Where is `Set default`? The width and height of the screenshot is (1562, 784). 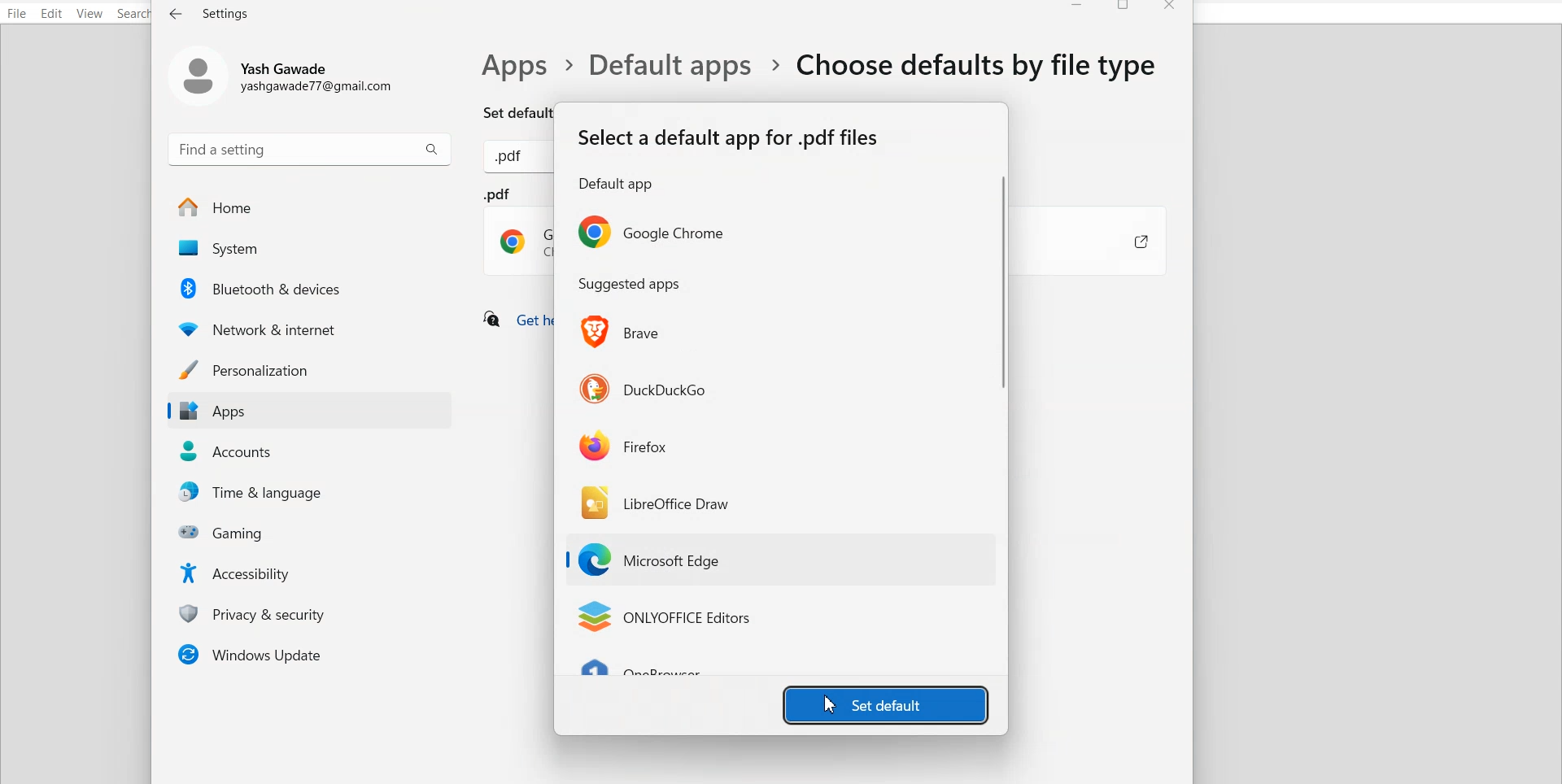
Set default is located at coordinates (502, 111).